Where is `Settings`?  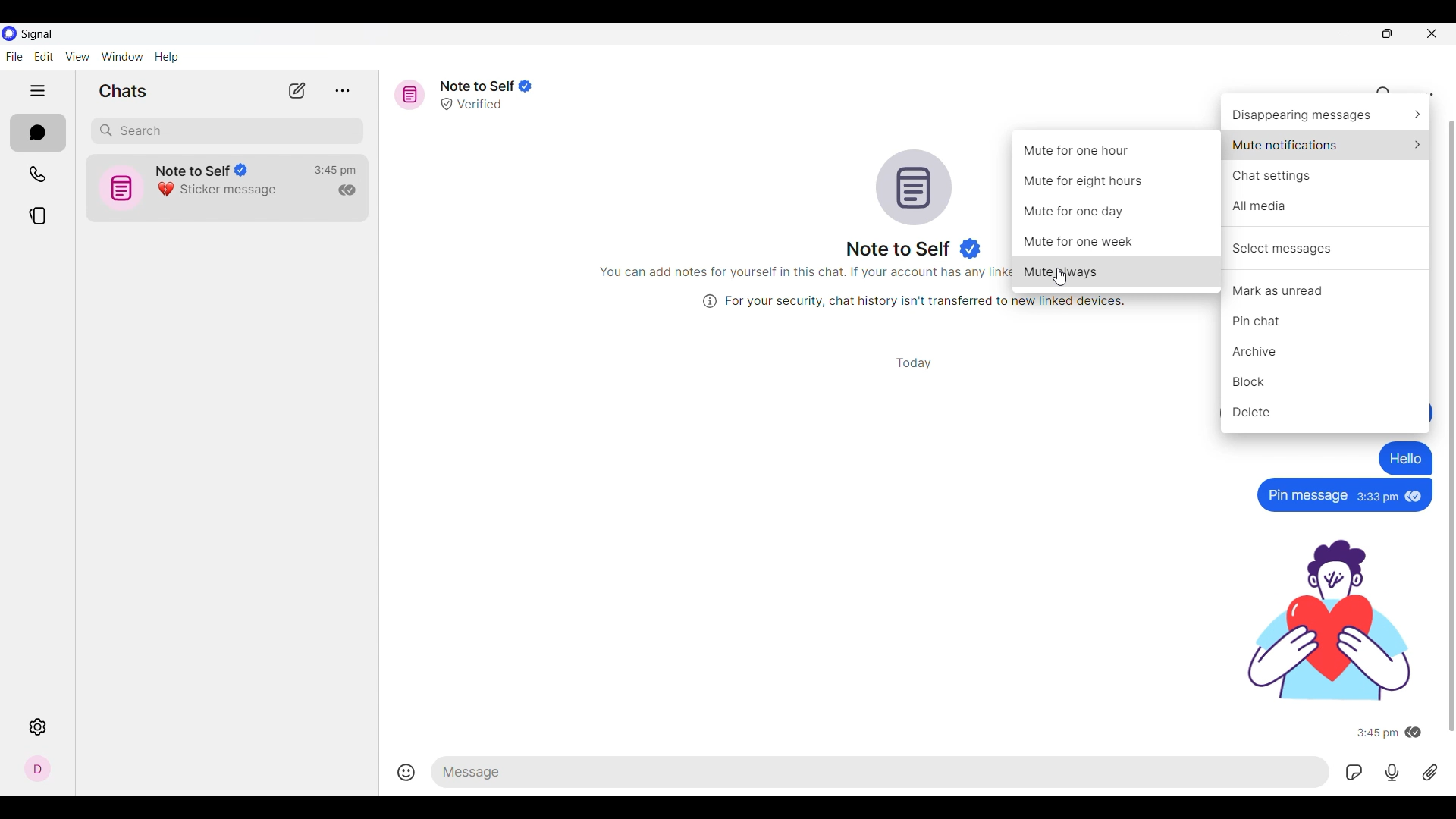
Settings is located at coordinates (37, 726).